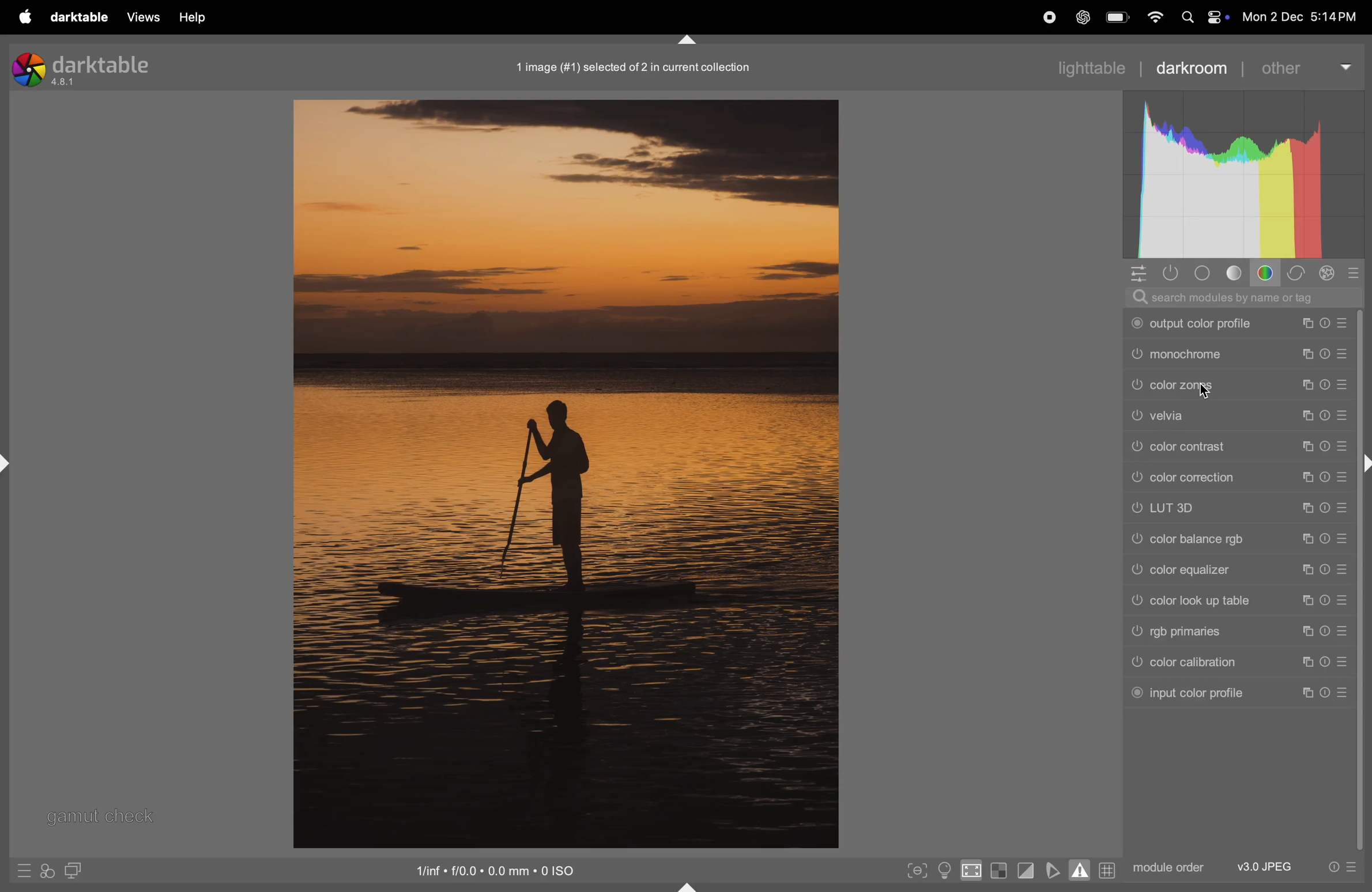 The height and width of the screenshot is (892, 1372). Describe the element at coordinates (1197, 385) in the screenshot. I see `color zones` at that location.